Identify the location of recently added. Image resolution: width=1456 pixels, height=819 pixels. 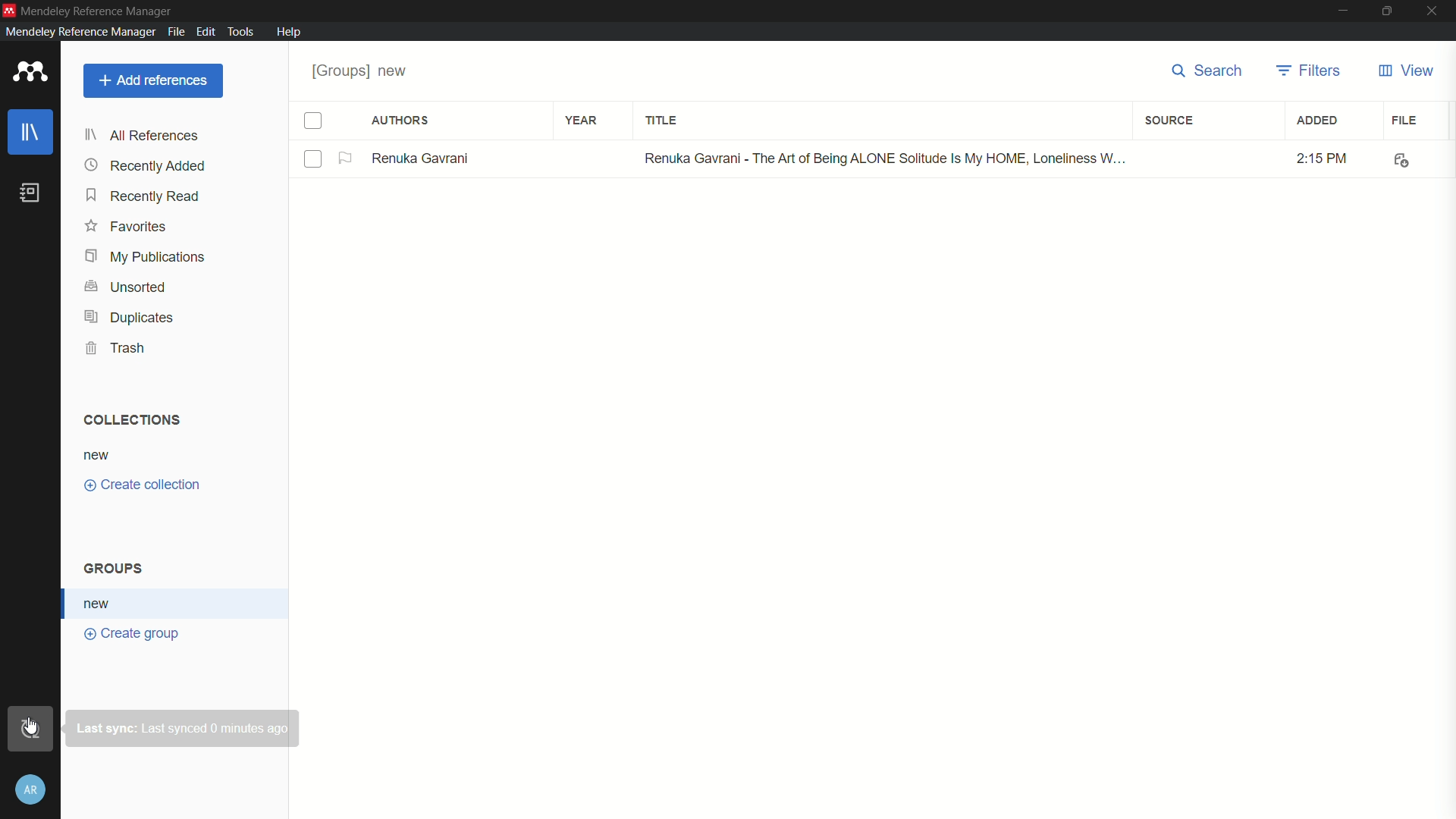
(146, 167).